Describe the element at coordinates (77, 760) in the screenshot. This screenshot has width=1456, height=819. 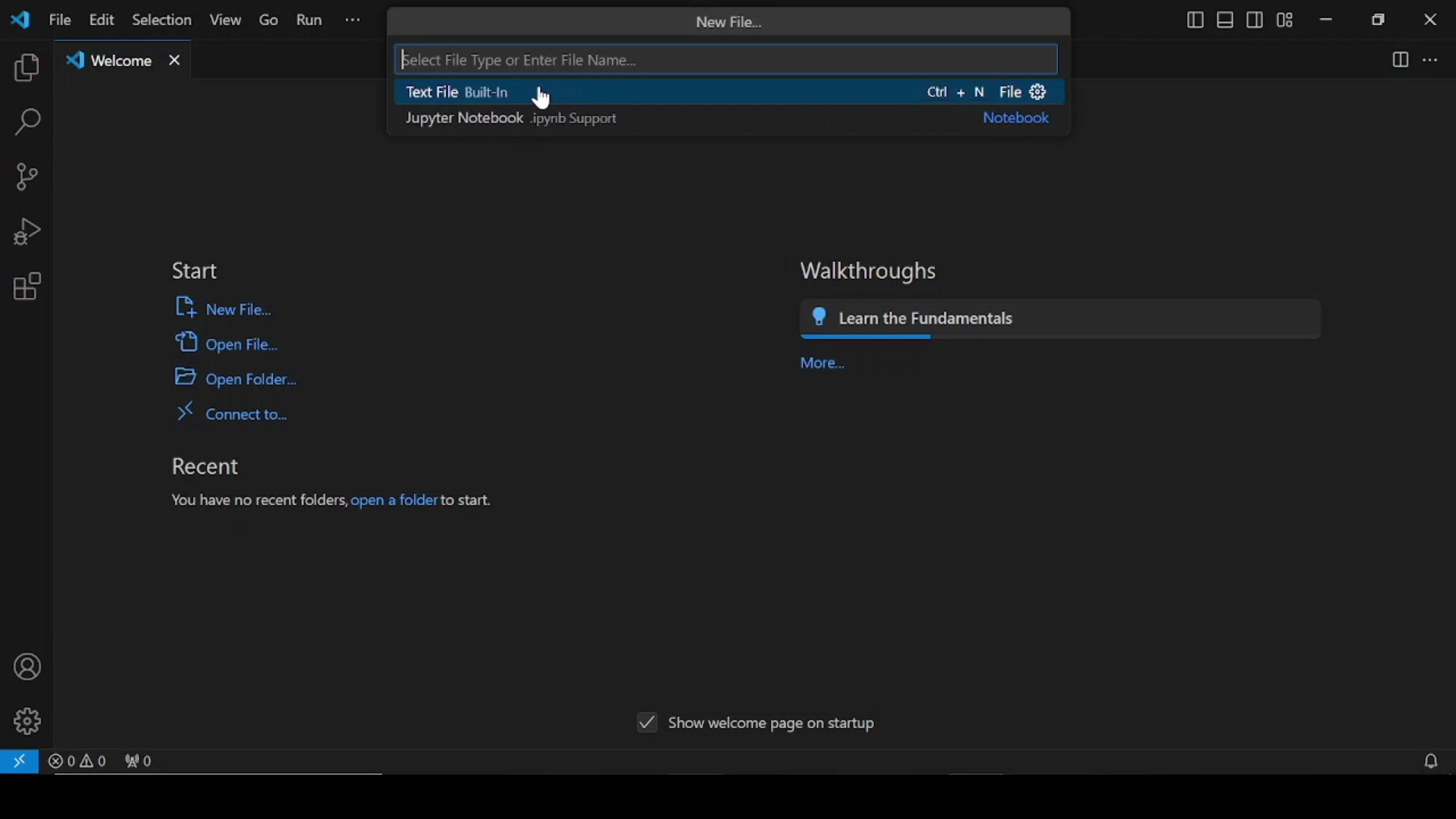
I see `problems panel` at that location.